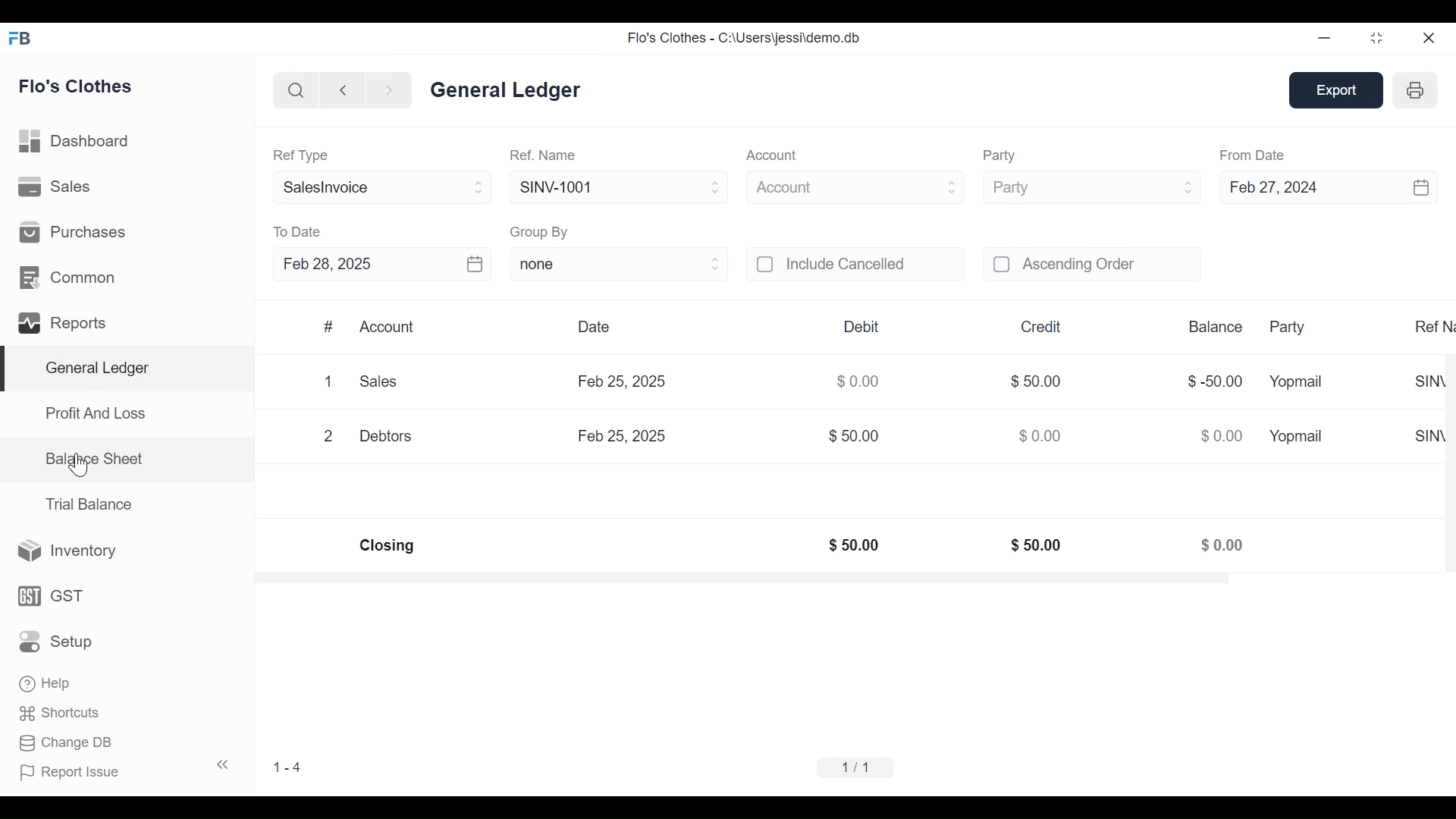 The image size is (1456, 819). Describe the element at coordinates (742, 579) in the screenshot. I see `Scrollbar ` at that location.